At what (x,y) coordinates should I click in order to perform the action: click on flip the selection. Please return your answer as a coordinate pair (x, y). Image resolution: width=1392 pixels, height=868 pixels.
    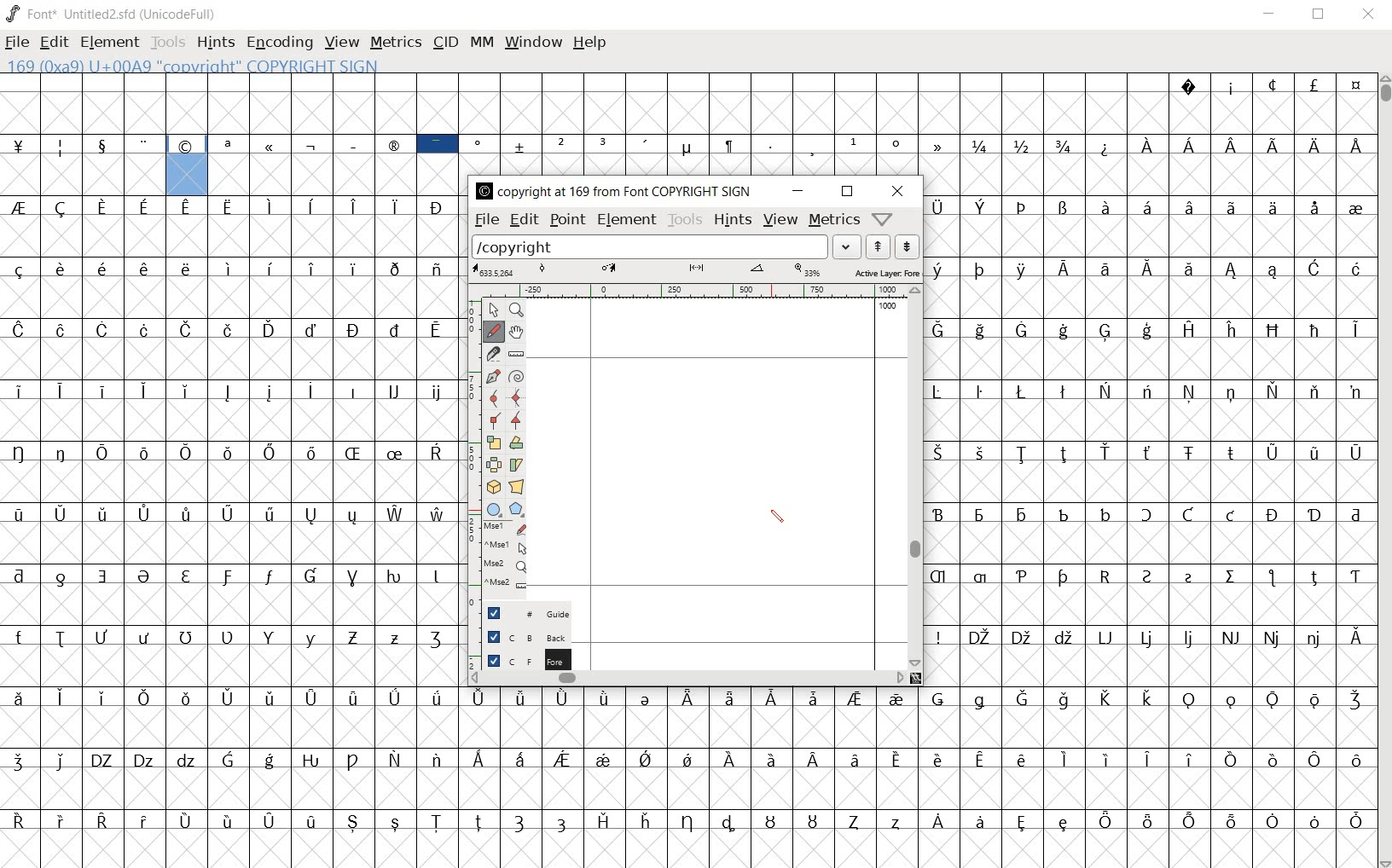
    Looking at the image, I should click on (495, 465).